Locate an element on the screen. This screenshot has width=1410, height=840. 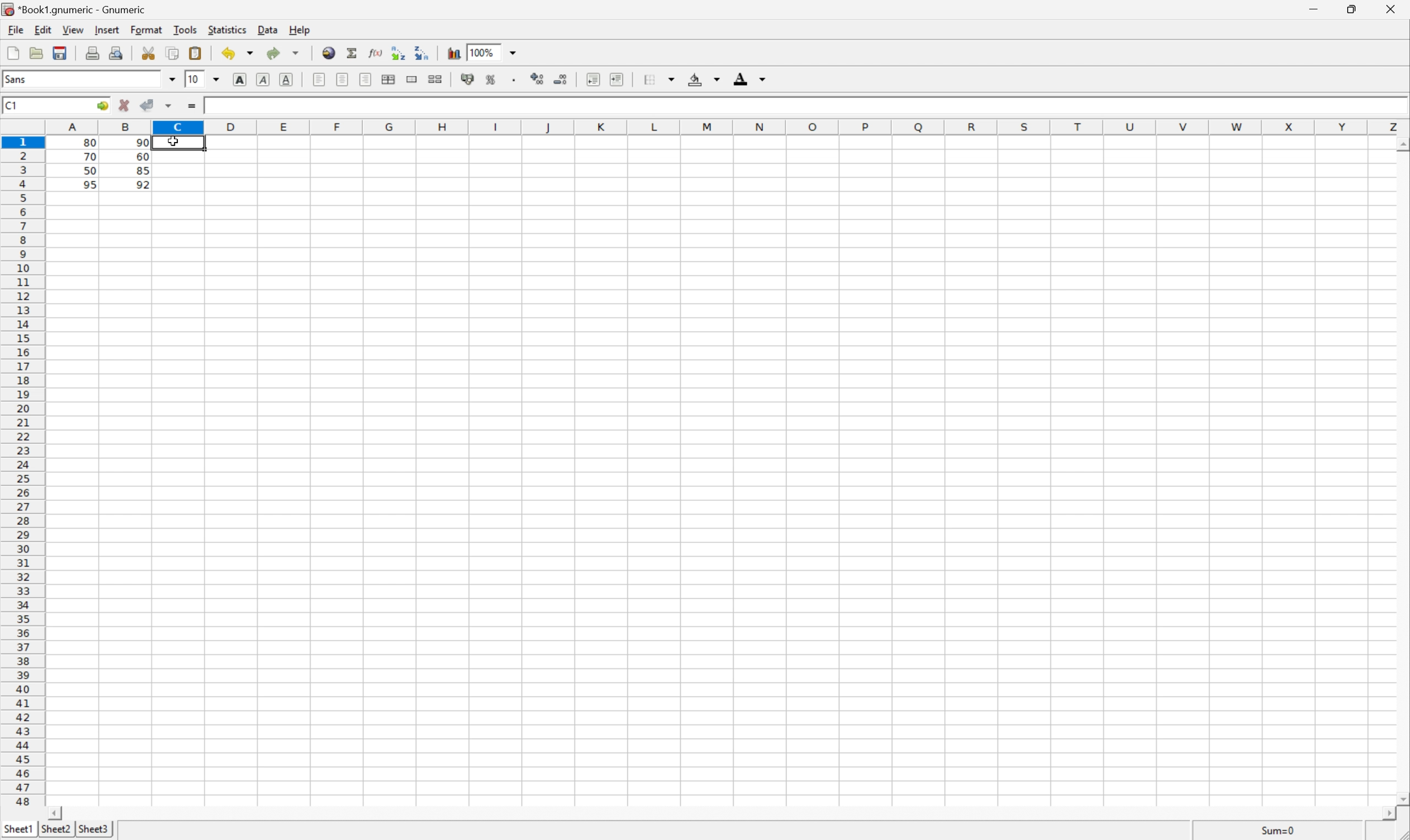
Tools is located at coordinates (184, 29).